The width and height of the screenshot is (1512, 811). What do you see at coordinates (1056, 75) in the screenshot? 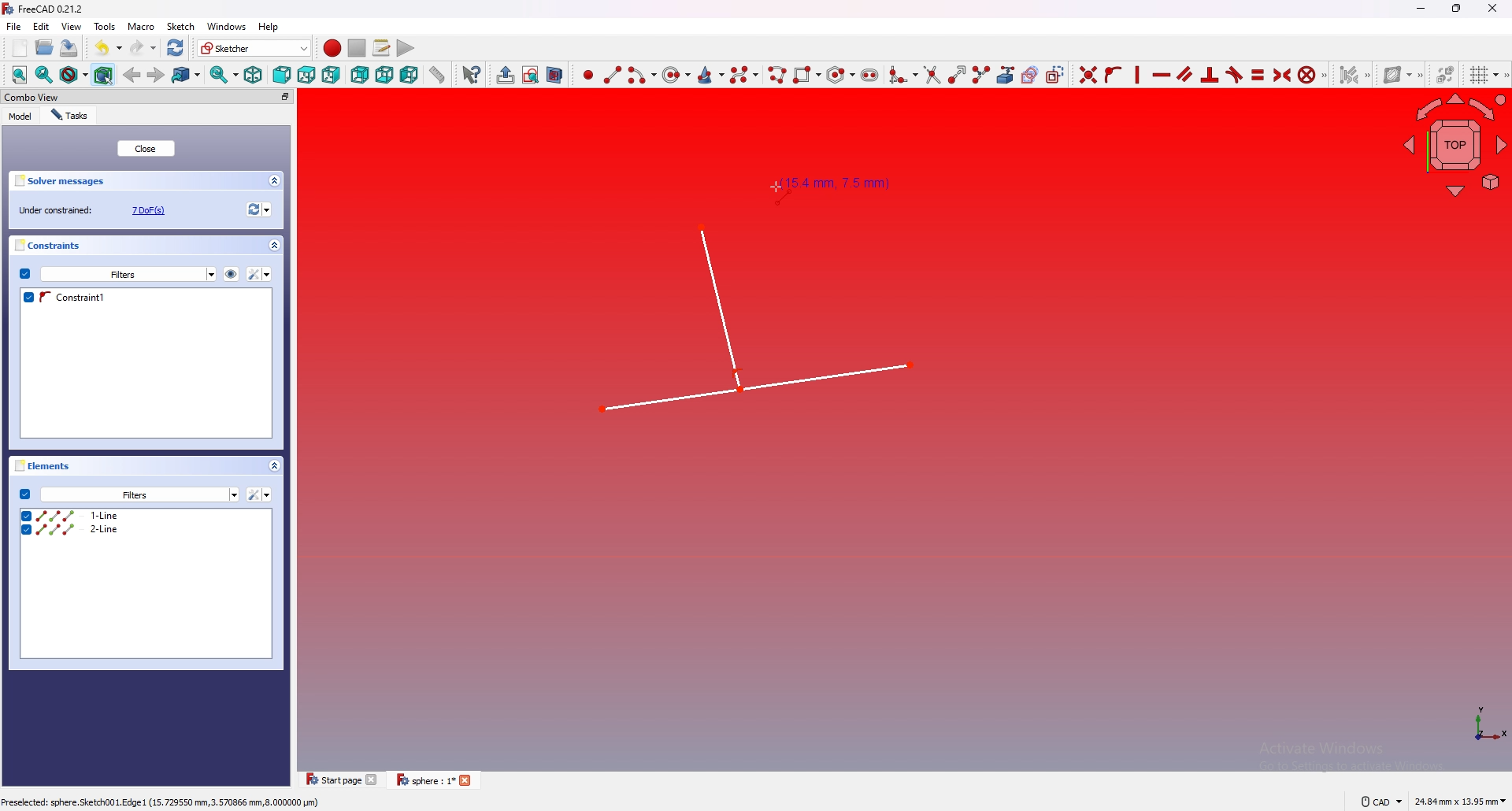
I see `Toggle construction geometry` at bounding box center [1056, 75].